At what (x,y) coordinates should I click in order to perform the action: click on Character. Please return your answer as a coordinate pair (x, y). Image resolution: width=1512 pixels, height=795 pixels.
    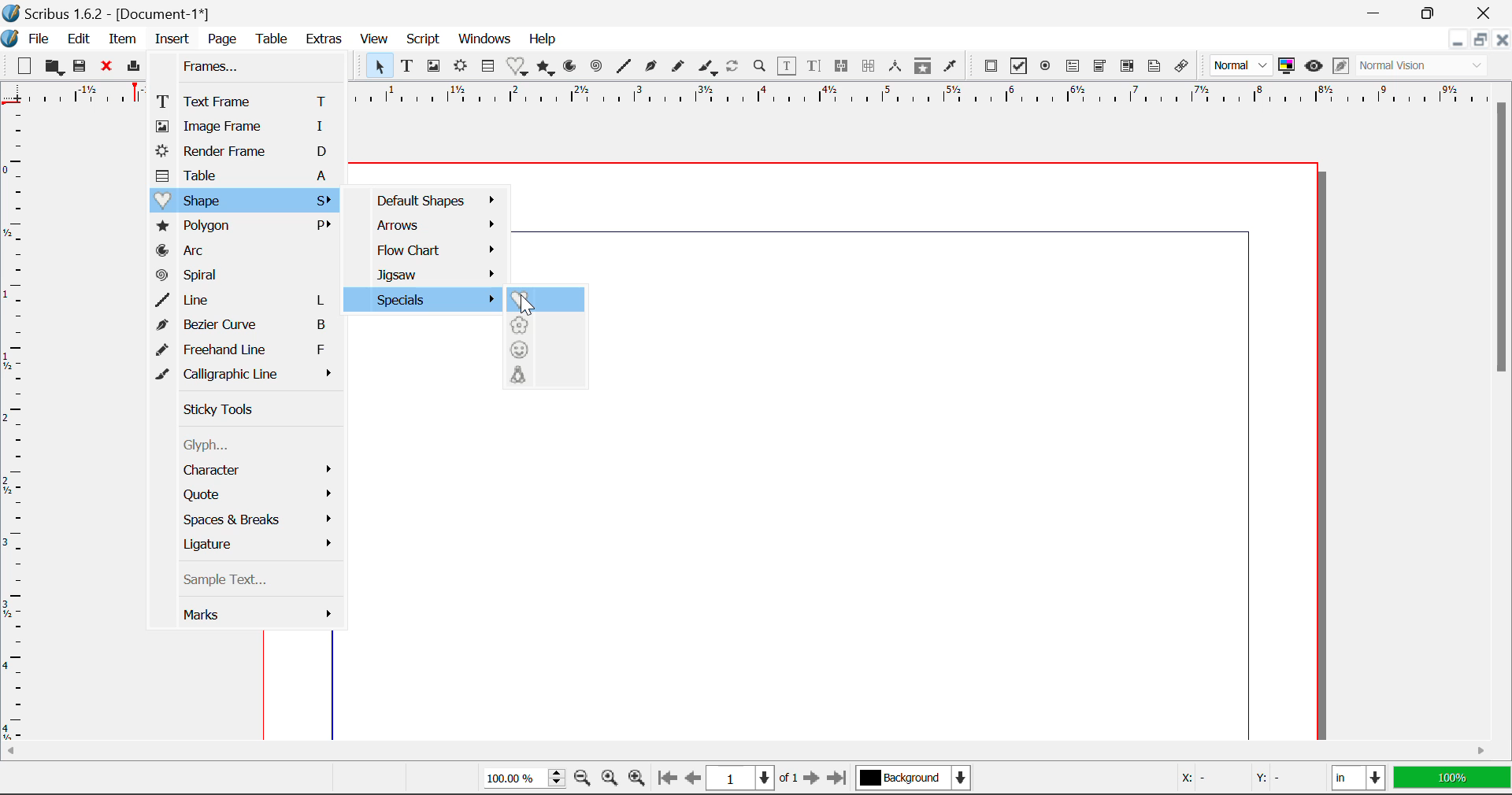
    Looking at the image, I should click on (251, 472).